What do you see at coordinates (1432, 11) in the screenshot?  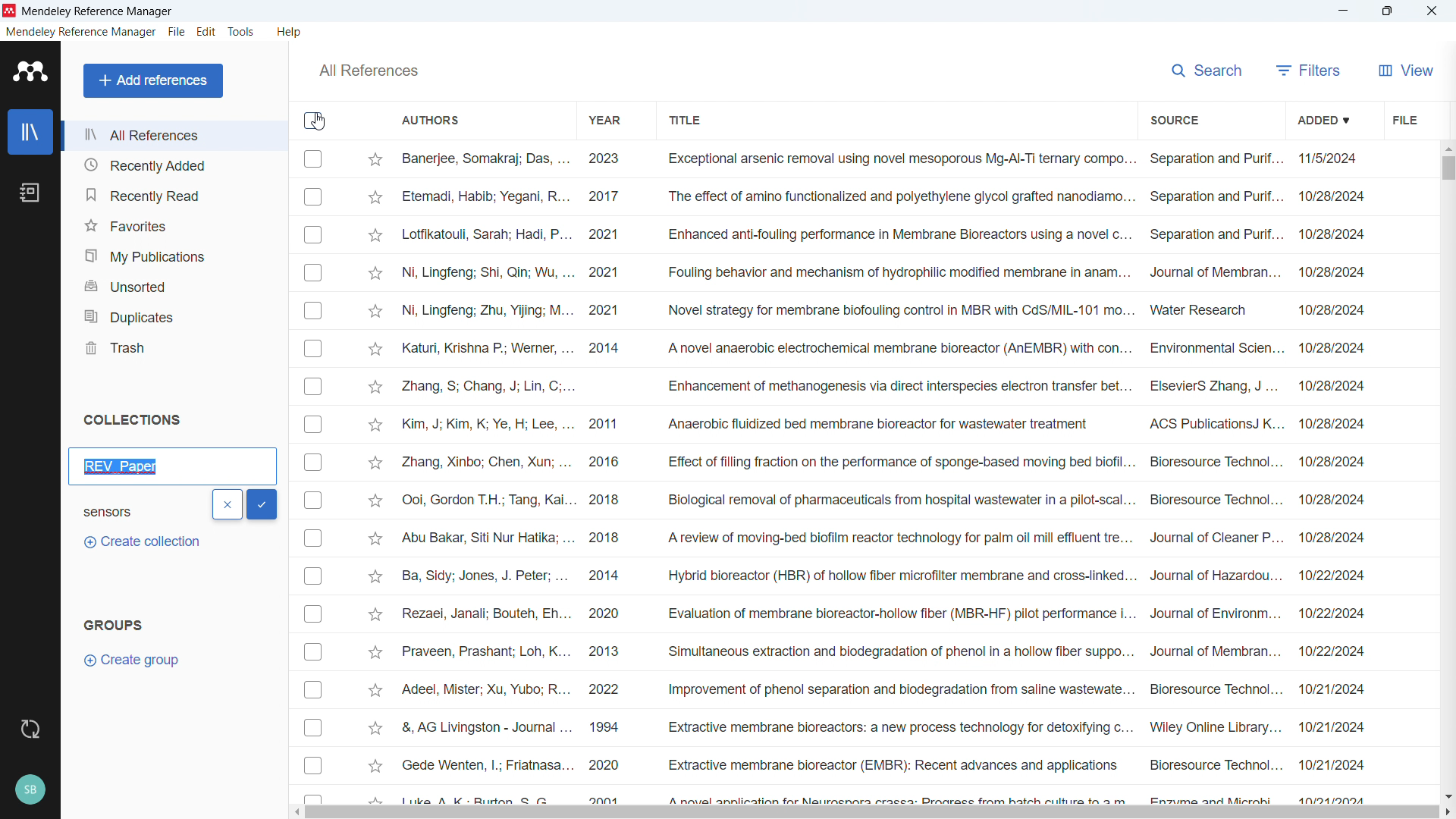 I see `Close ` at bounding box center [1432, 11].